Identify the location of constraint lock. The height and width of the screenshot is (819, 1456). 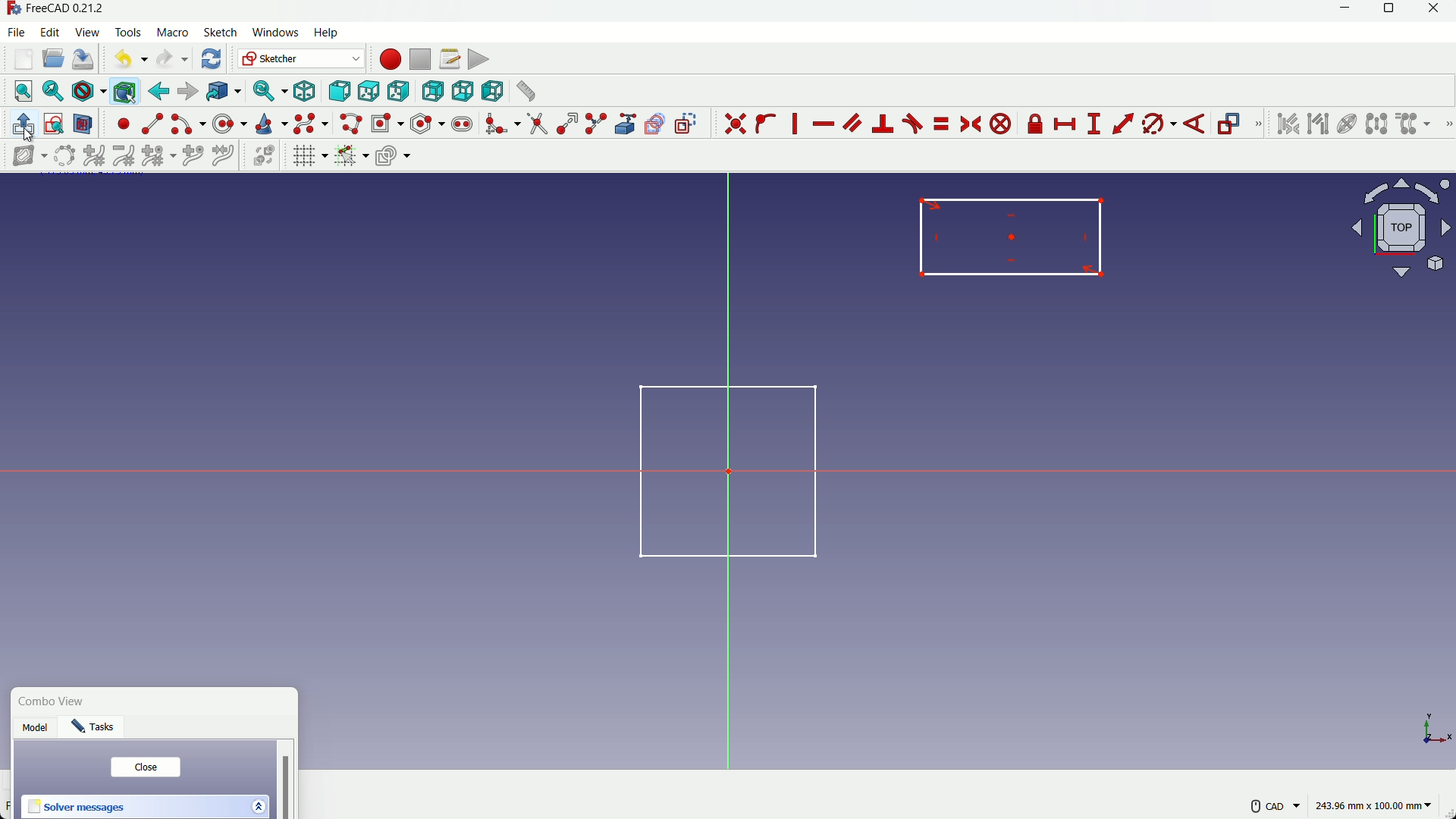
(1036, 127).